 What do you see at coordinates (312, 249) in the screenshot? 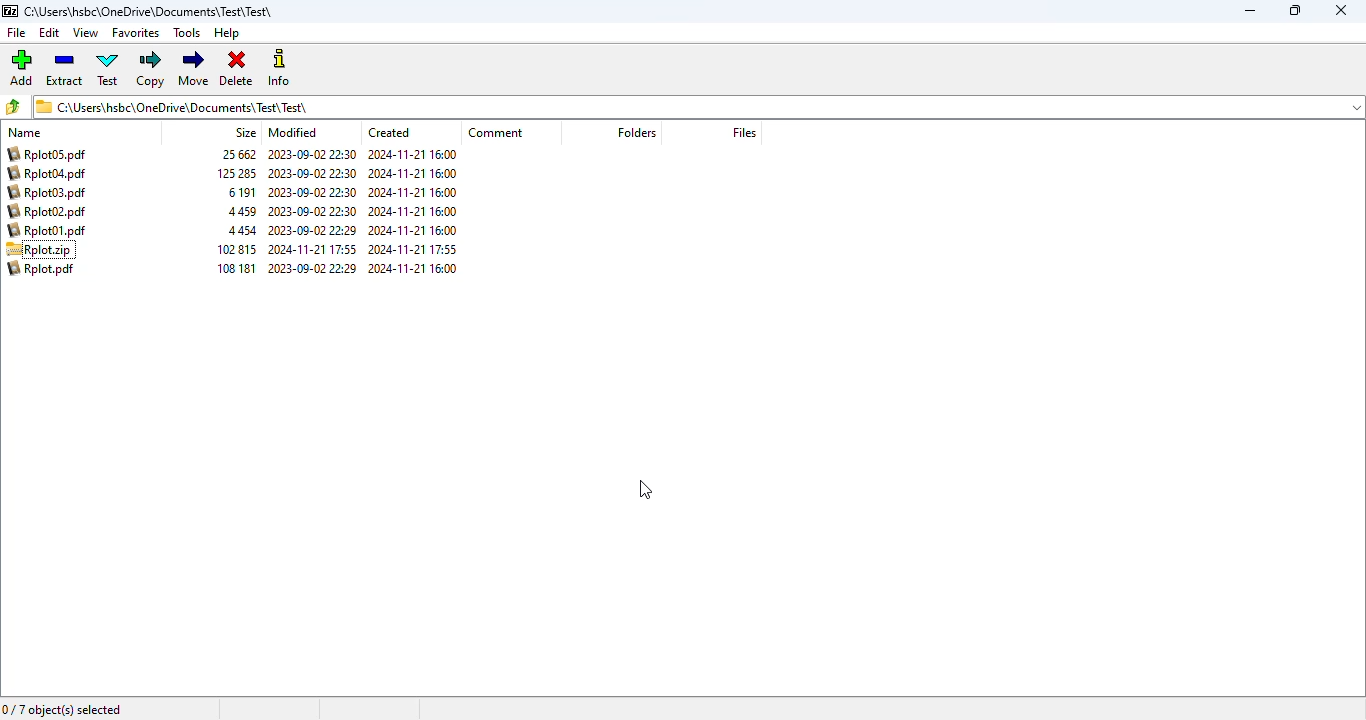
I see `2024-11-21 17:55` at bounding box center [312, 249].